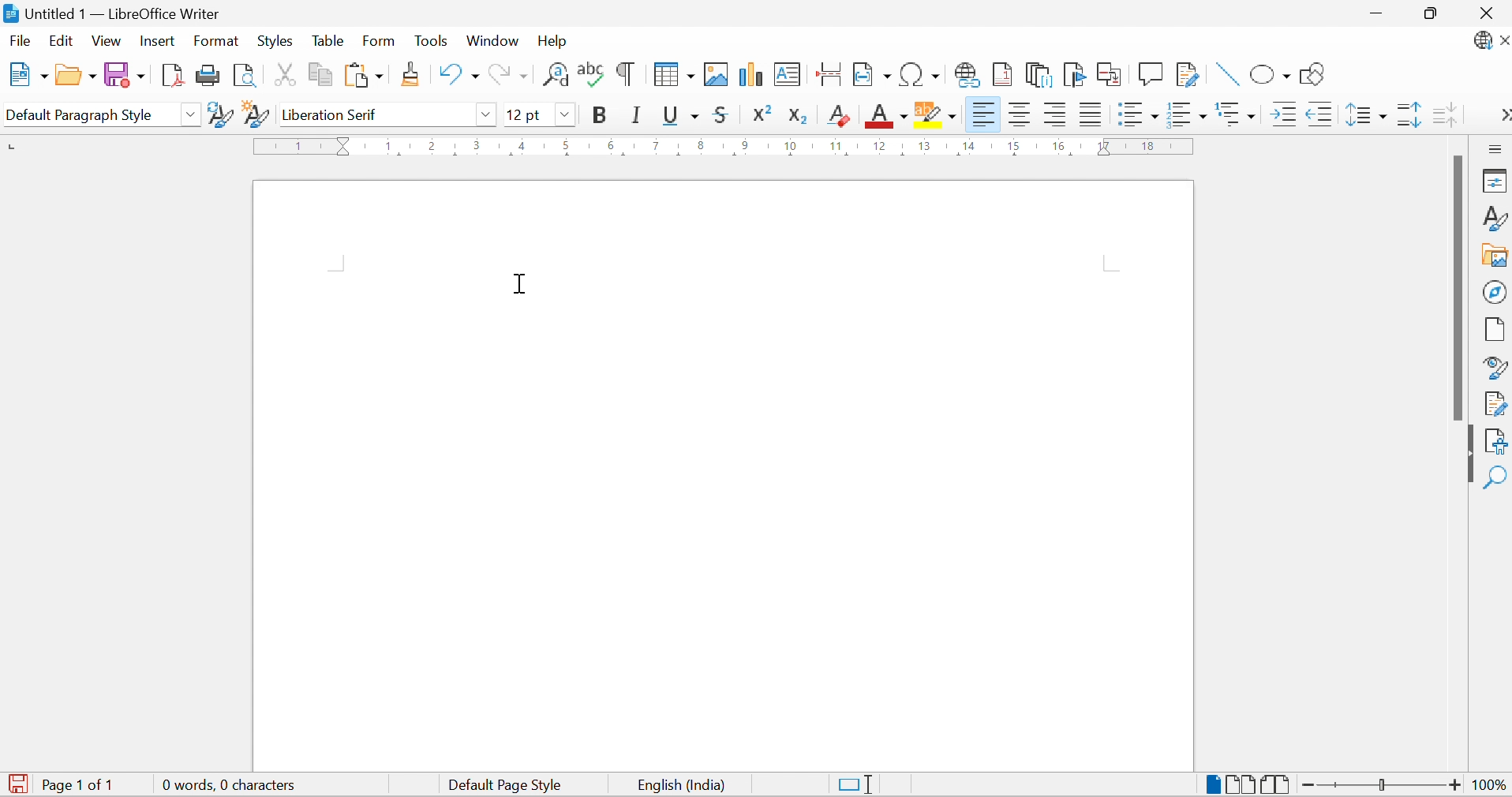  I want to click on 6, so click(609, 144).